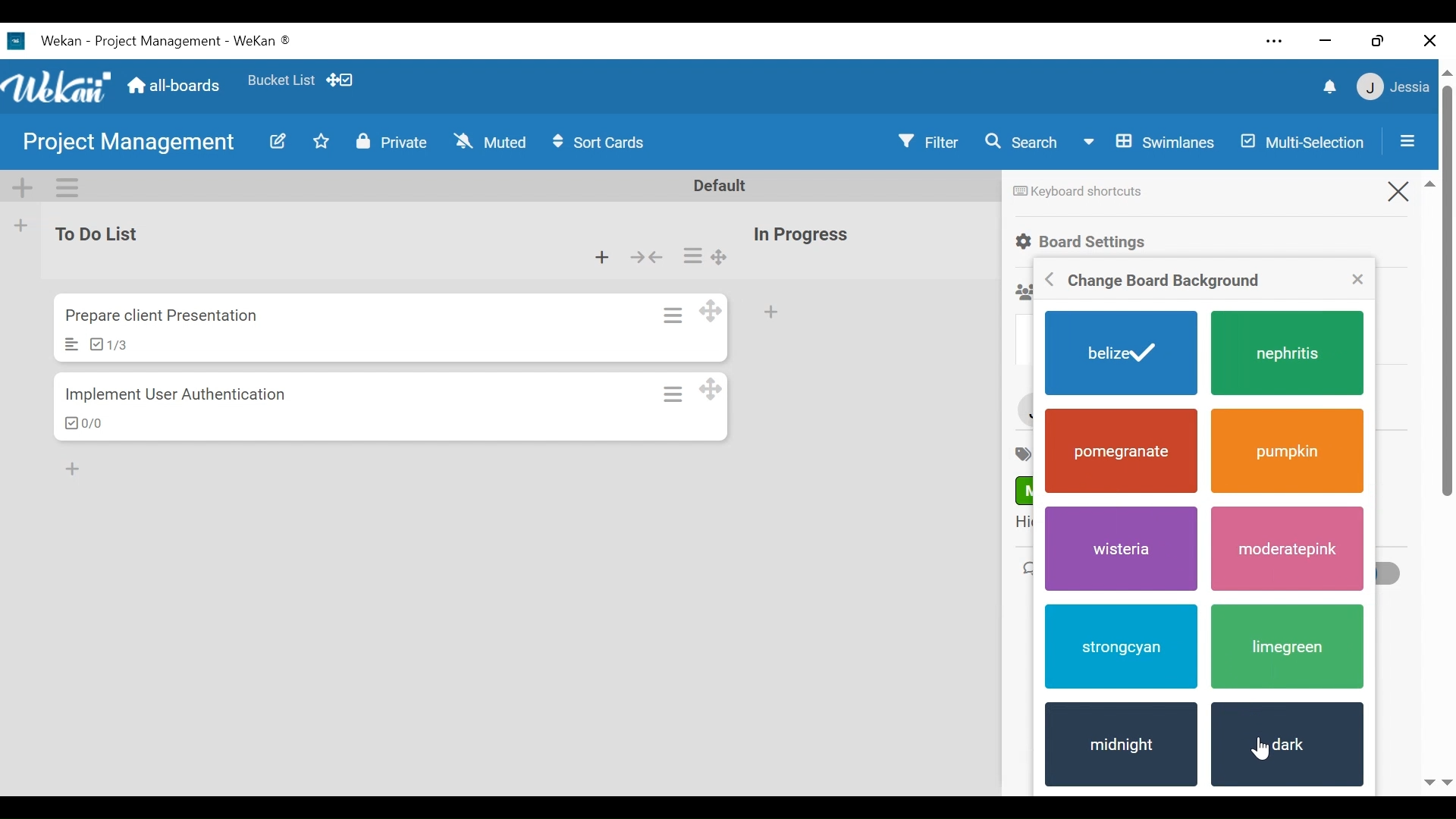 This screenshot has width=1456, height=819. What do you see at coordinates (344, 80) in the screenshot?
I see `Show Desktop drag handles` at bounding box center [344, 80].